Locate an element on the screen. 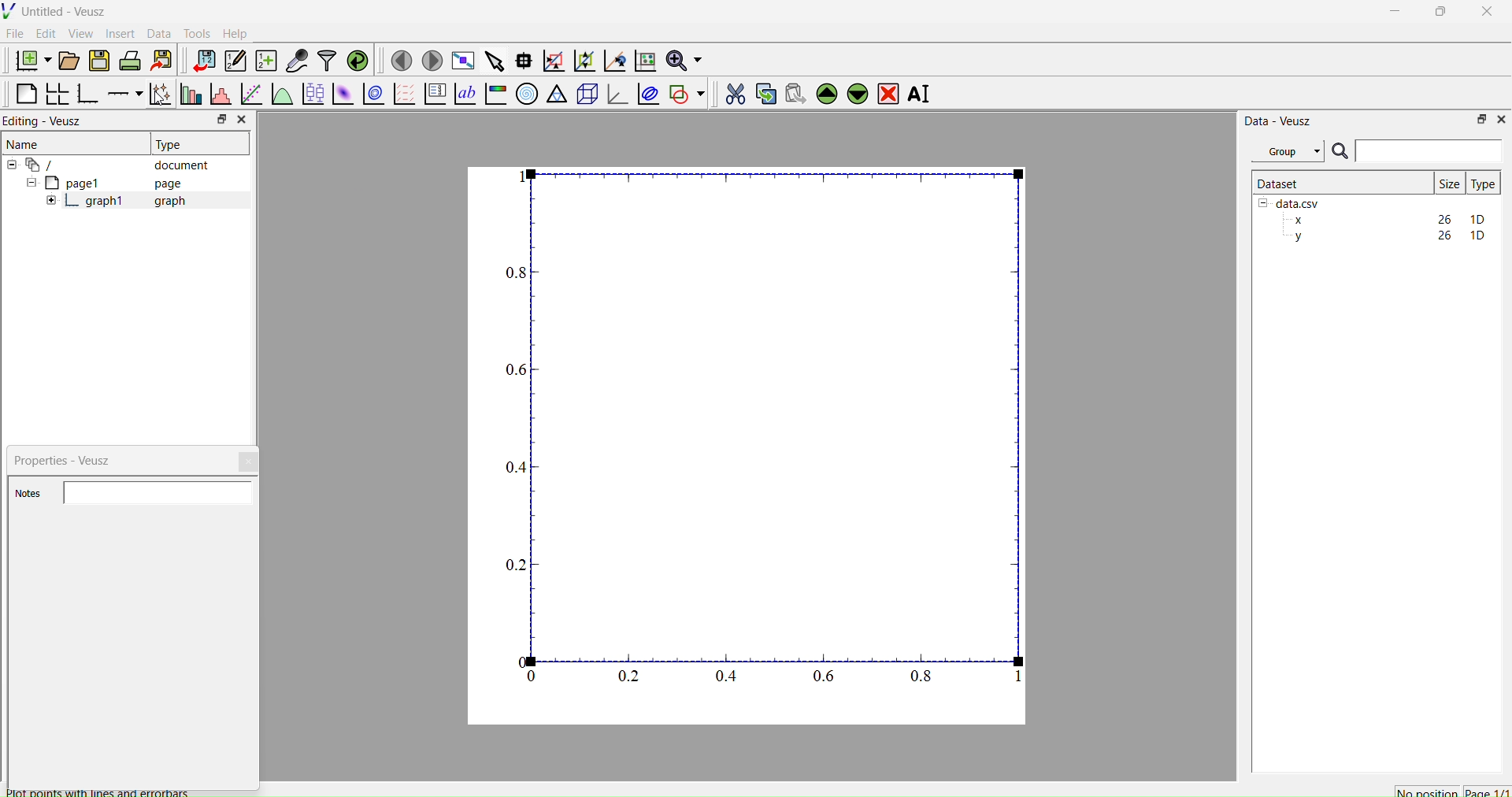 This screenshot has width=1512, height=797. Restore Down is located at coordinates (1477, 118).